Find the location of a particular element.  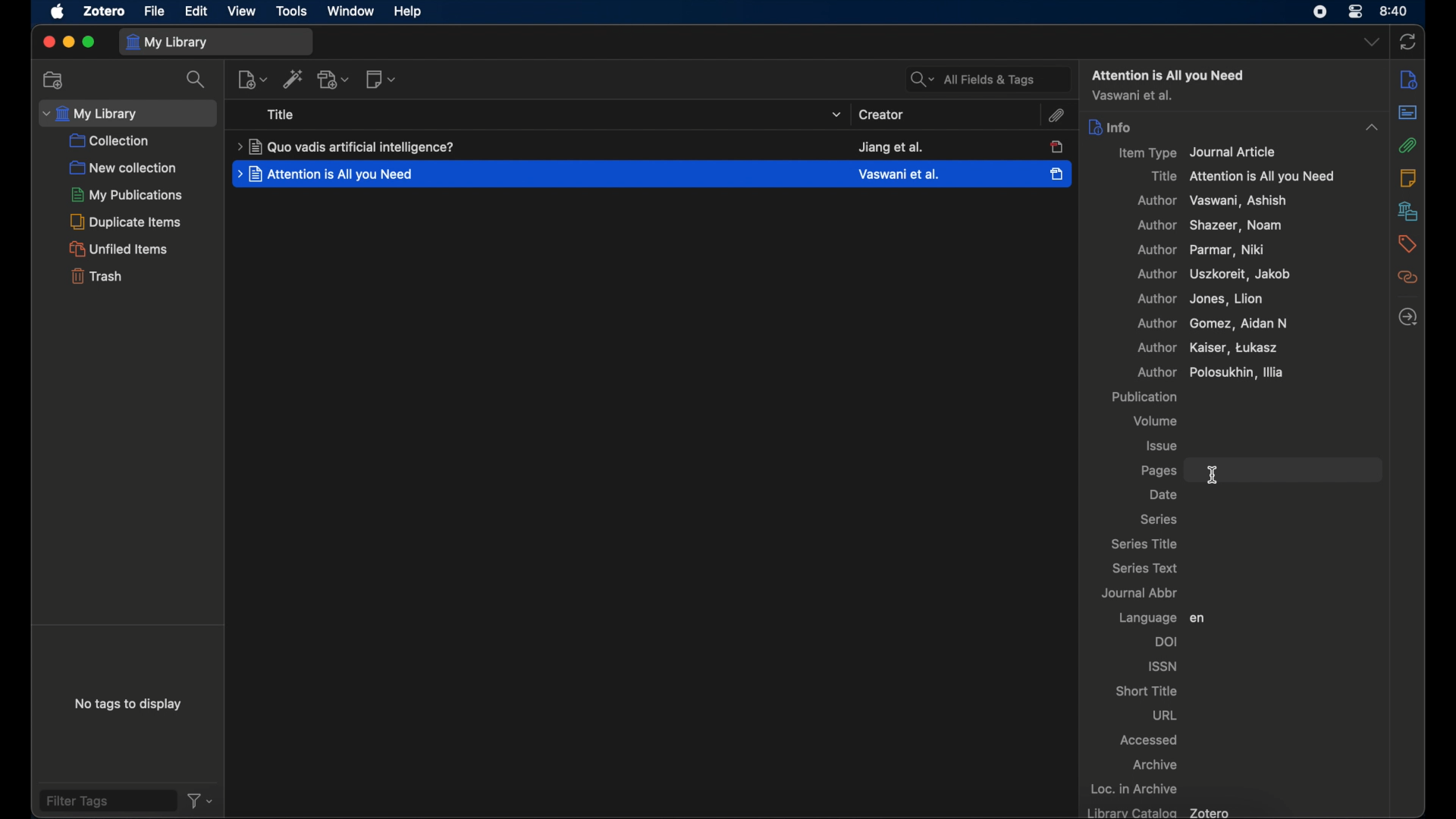

libraries and collections is located at coordinates (1407, 212).